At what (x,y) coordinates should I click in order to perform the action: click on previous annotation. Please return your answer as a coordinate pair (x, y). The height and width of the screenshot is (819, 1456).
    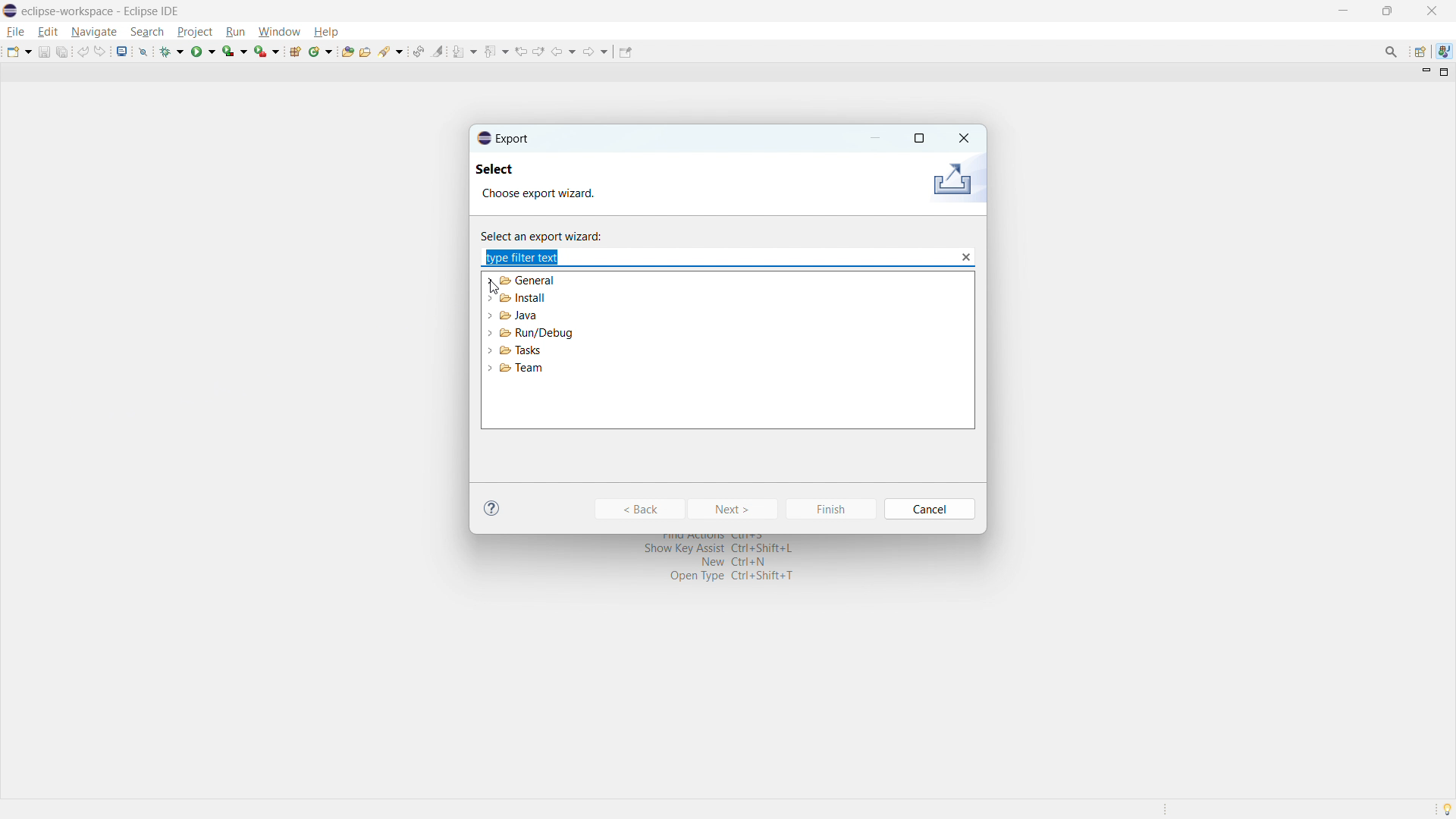
    Looking at the image, I should click on (497, 50).